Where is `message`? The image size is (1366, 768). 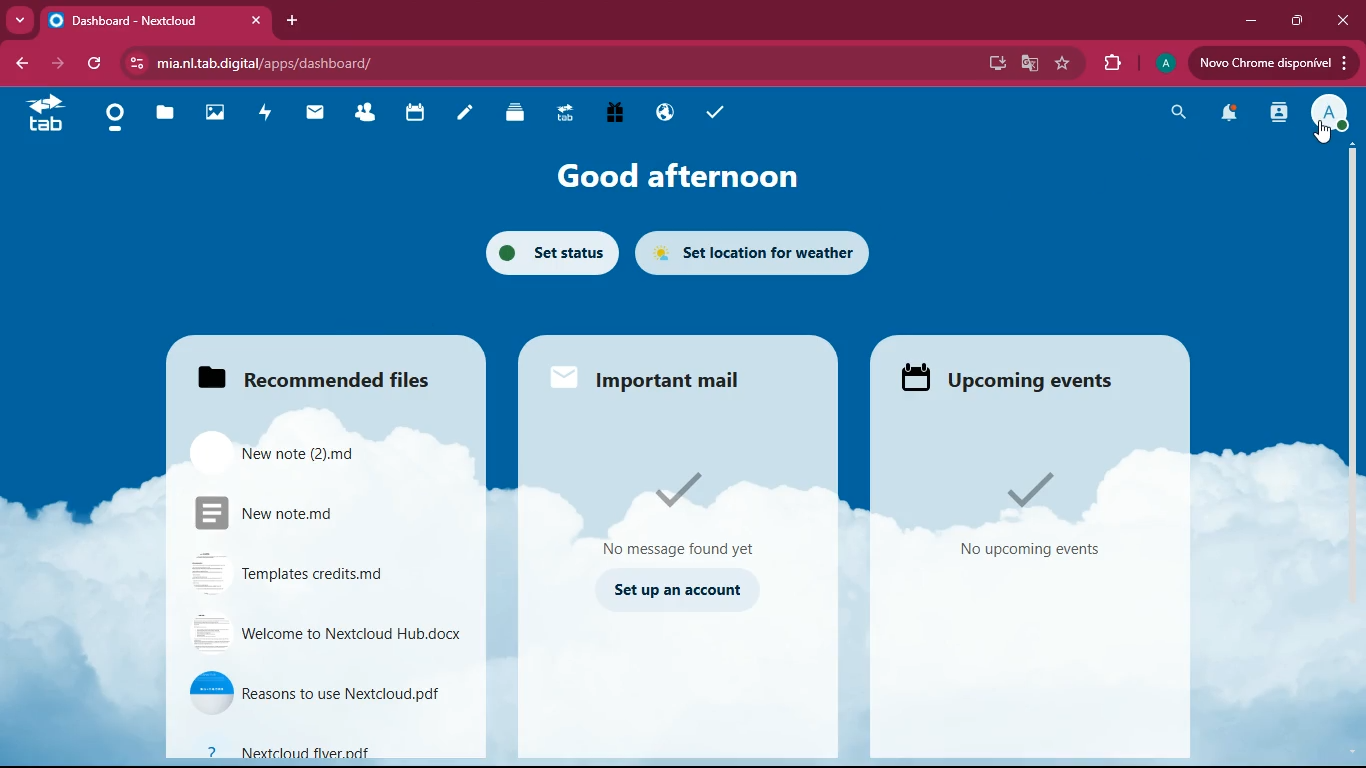 message is located at coordinates (687, 512).